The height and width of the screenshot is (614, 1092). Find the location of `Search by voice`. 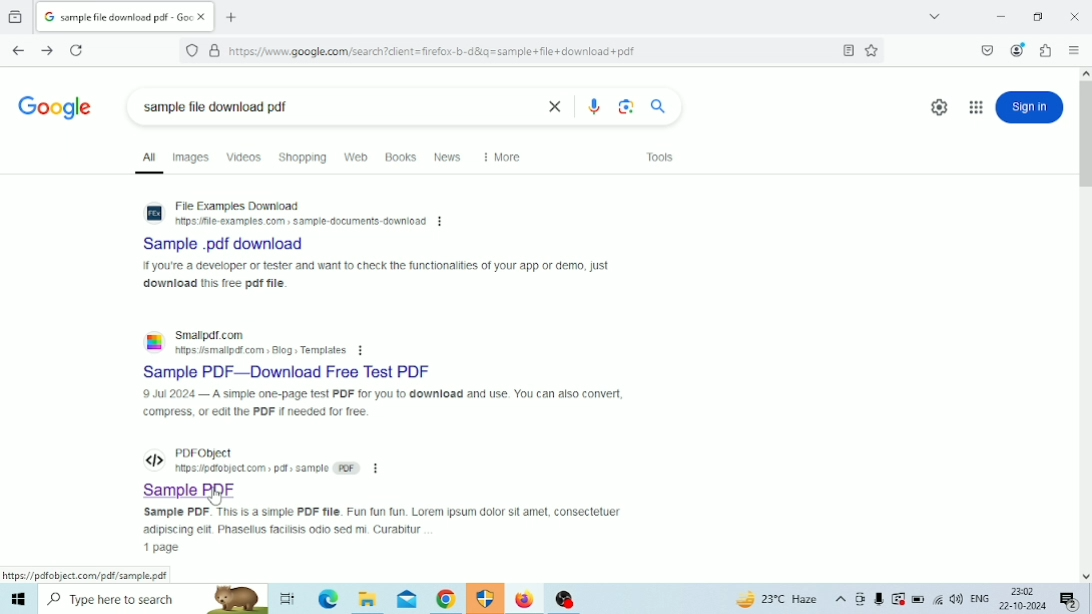

Search by voice is located at coordinates (594, 107).